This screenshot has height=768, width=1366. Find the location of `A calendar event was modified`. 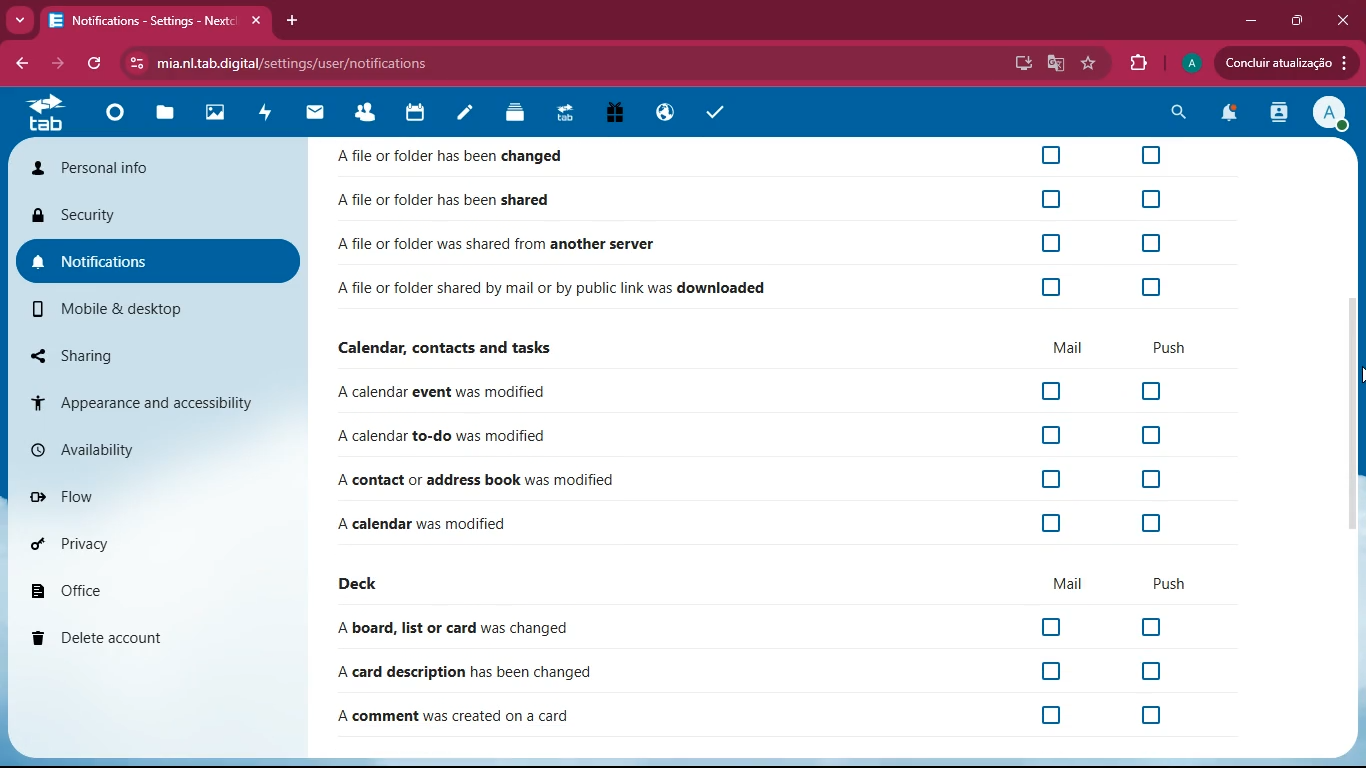

A calendar event was modified is located at coordinates (442, 392).